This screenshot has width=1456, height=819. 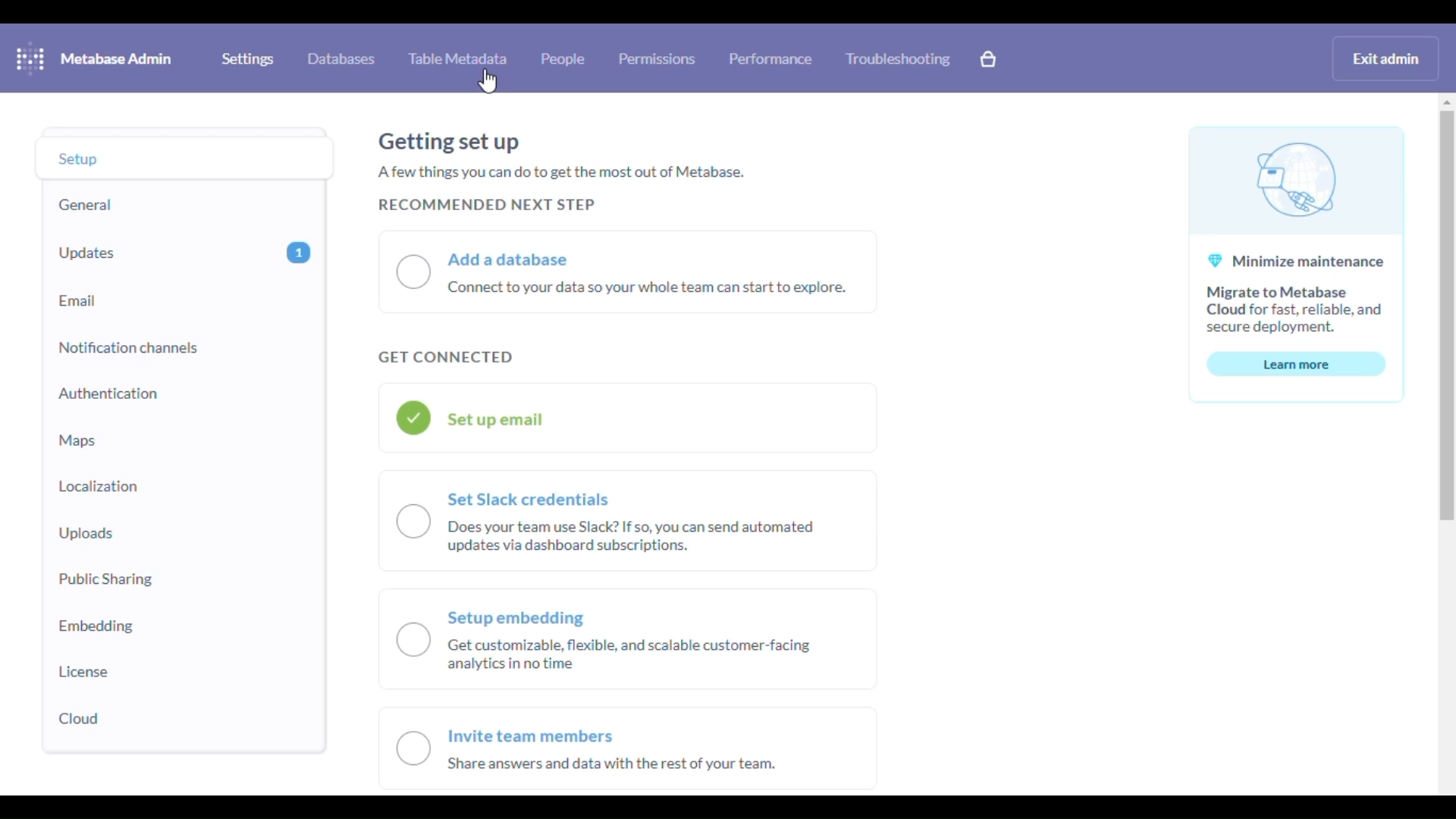 What do you see at coordinates (117, 58) in the screenshot?
I see `metabase admin` at bounding box center [117, 58].